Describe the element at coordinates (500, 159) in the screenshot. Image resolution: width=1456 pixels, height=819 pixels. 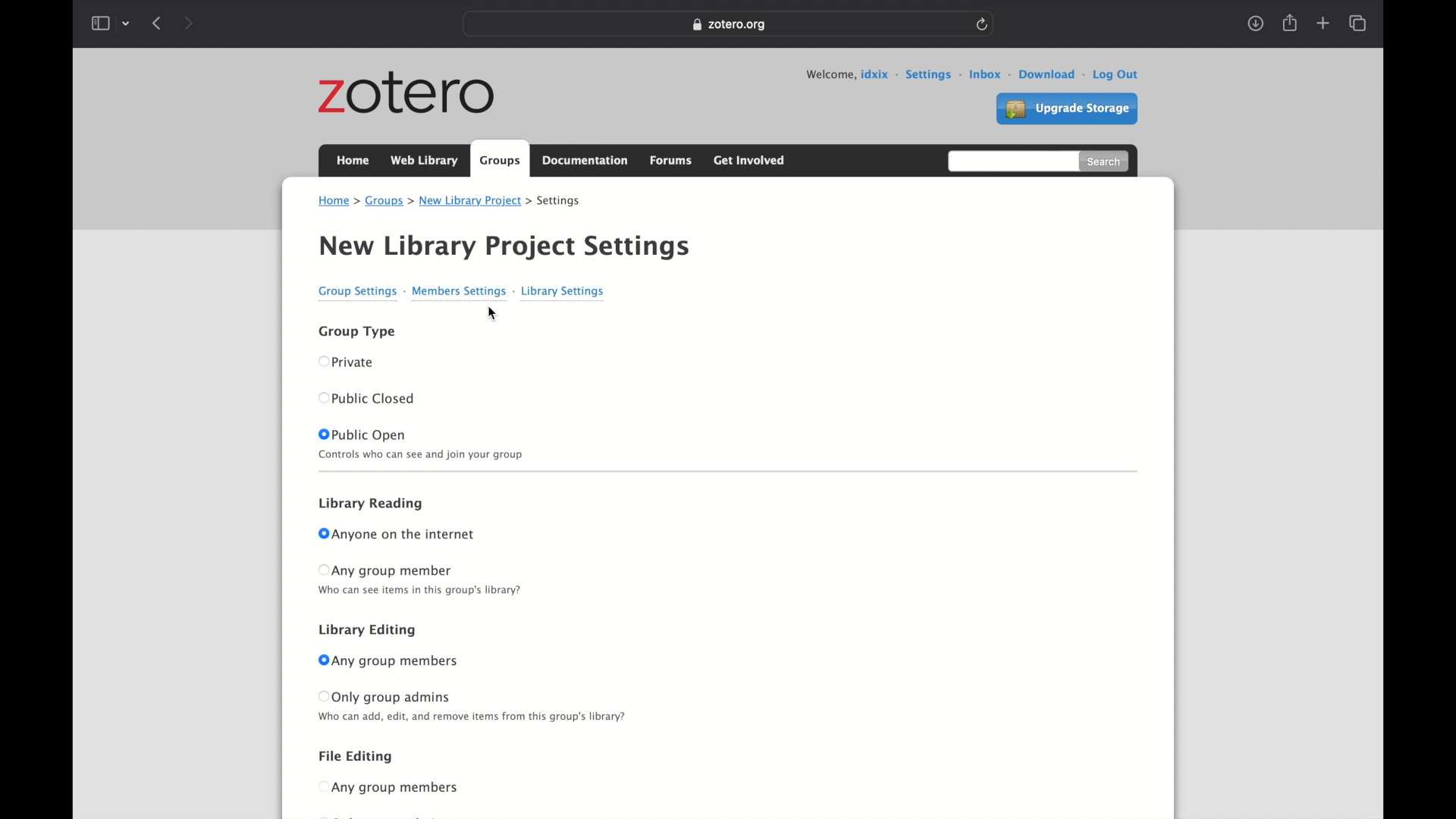
I see `groups` at that location.